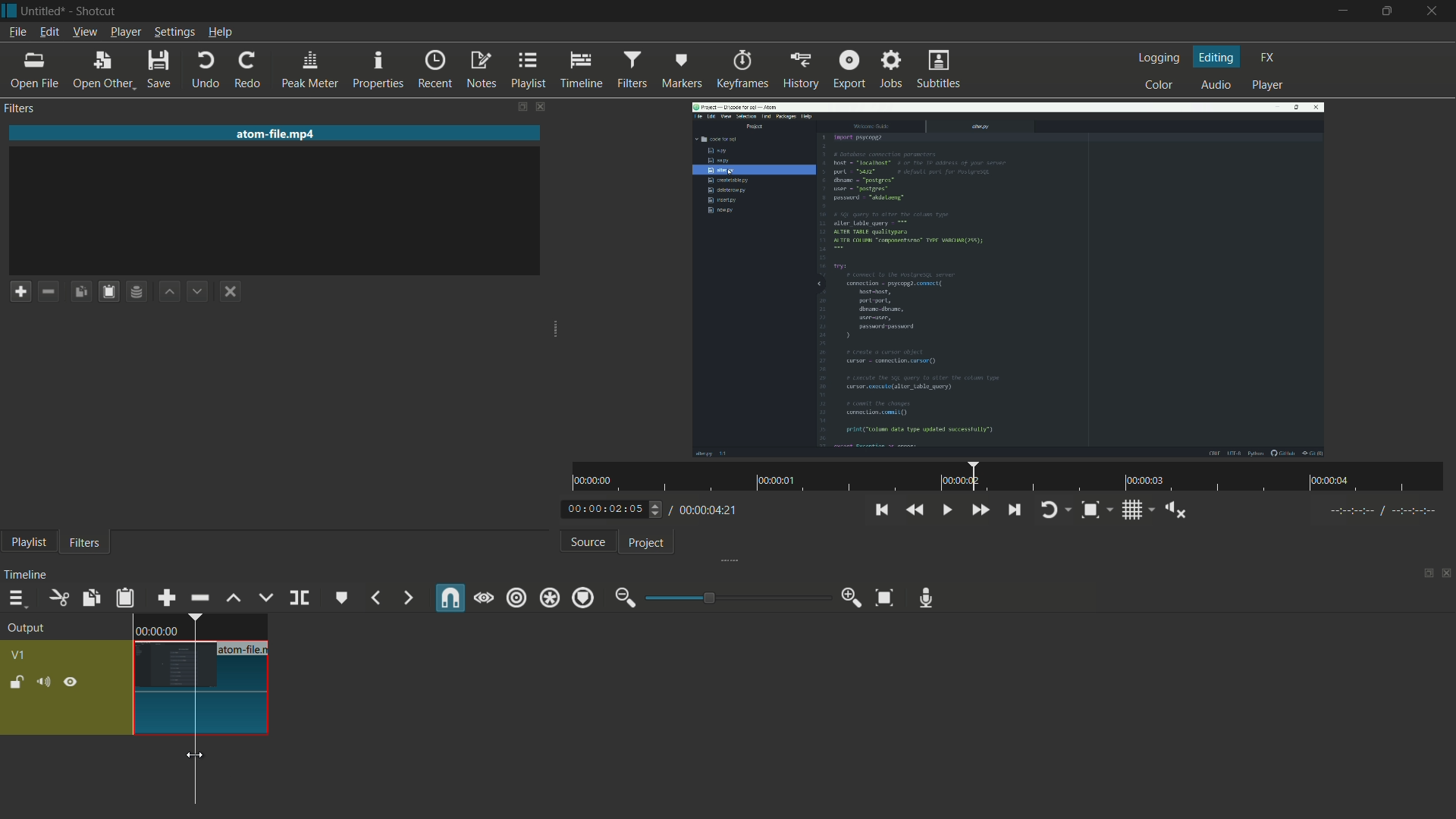 This screenshot has height=819, width=1456. What do you see at coordinates (584, 598) in the screenshot?
I see `ripple markers` at bounding box center [584, 598].